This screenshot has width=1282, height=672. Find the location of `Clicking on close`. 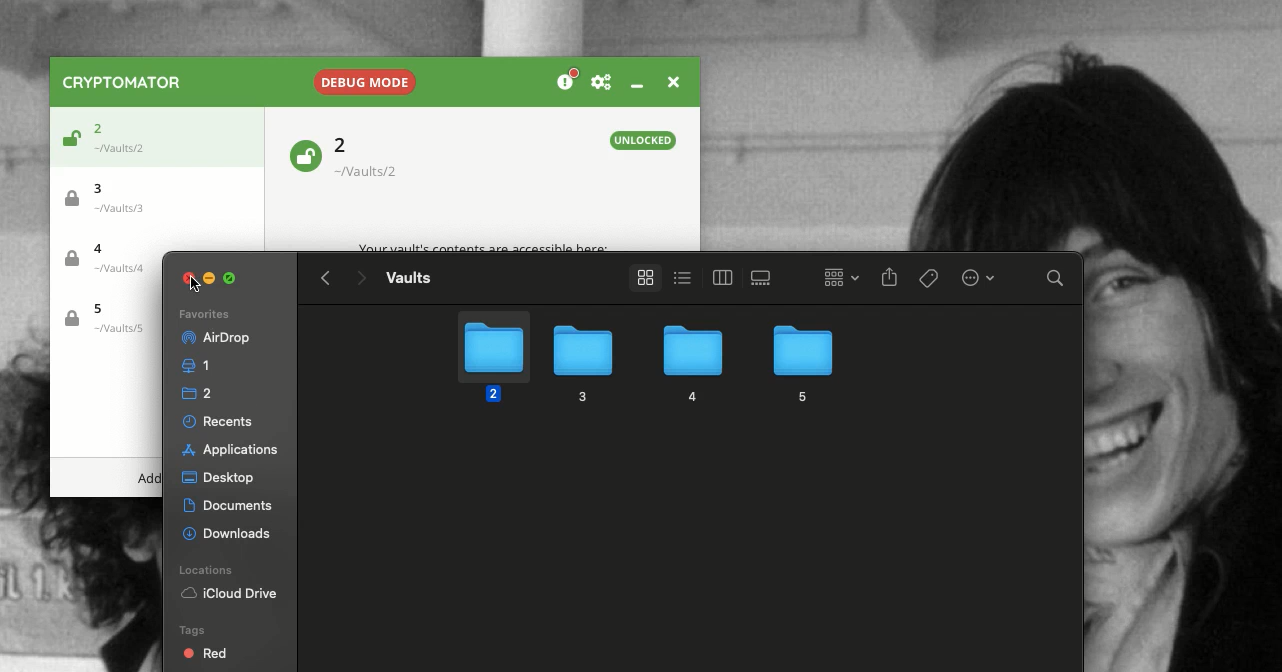

Clicking on close is located at coordinates (193, 286).